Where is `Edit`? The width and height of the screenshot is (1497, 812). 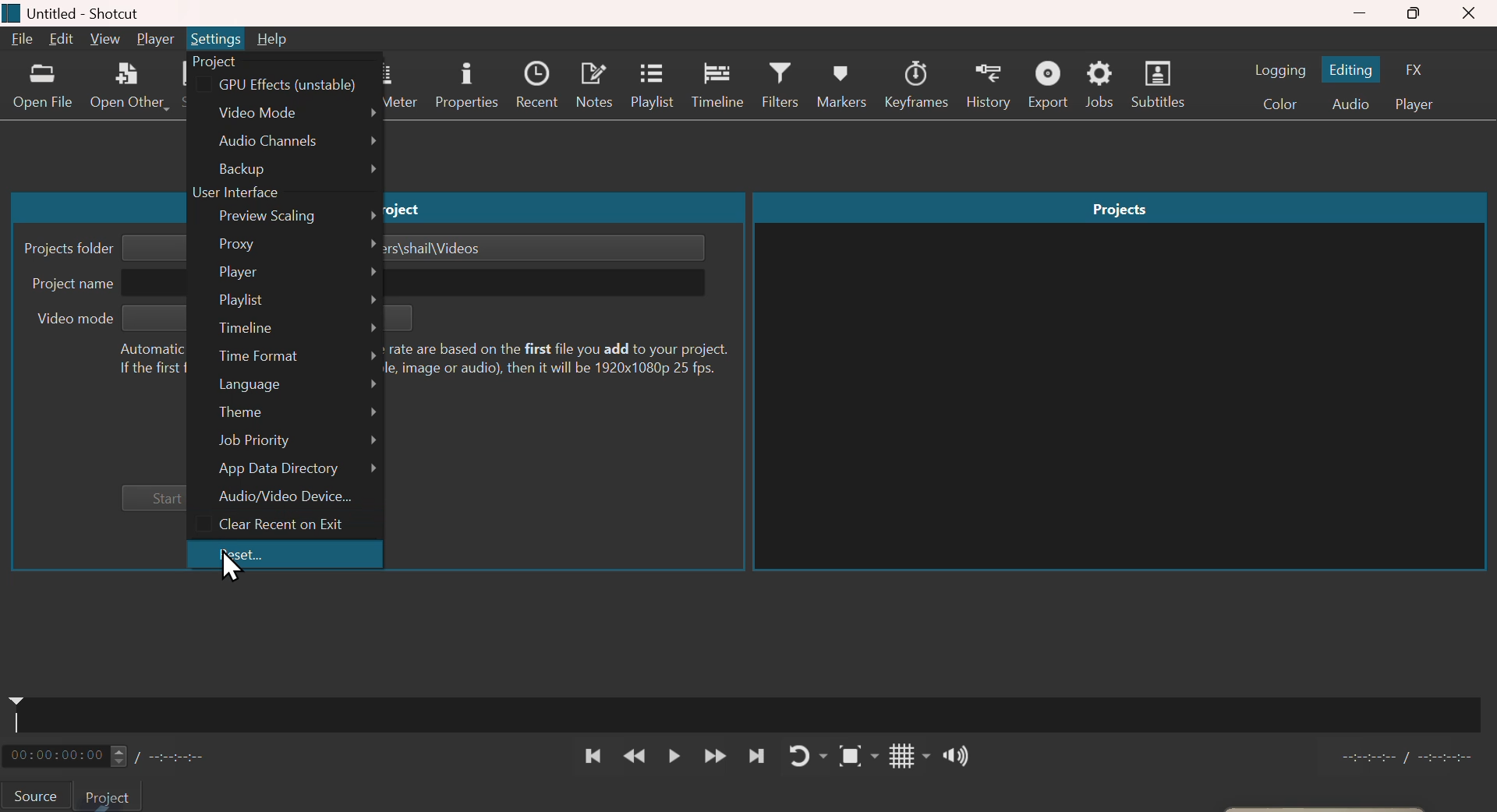
Edit is located at coordinates (60, 41).